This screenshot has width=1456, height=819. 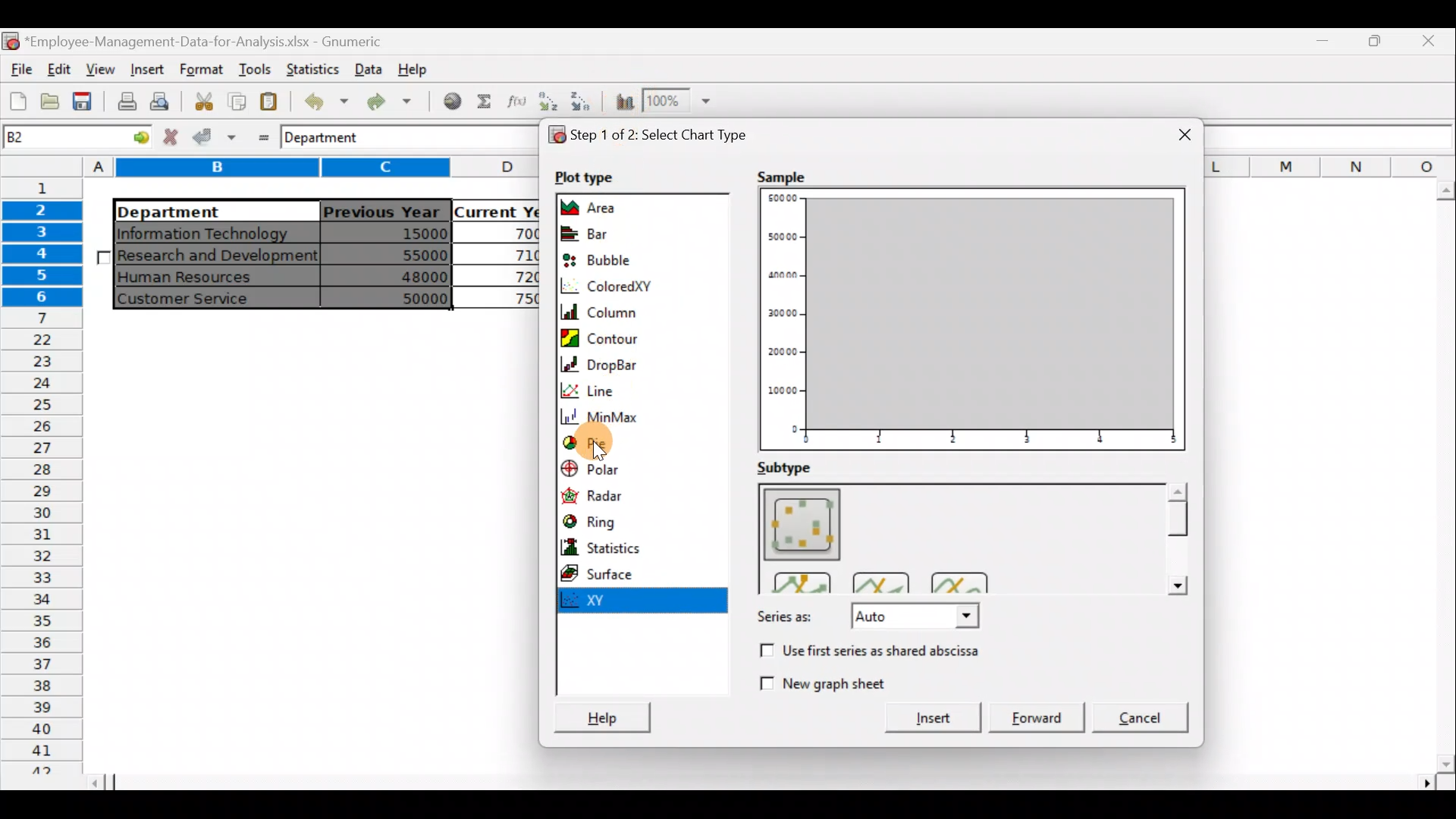 What do you see at coordinates (215, 137) in the screenshot?
I see `Accept change` at bounding box center [215, 137].